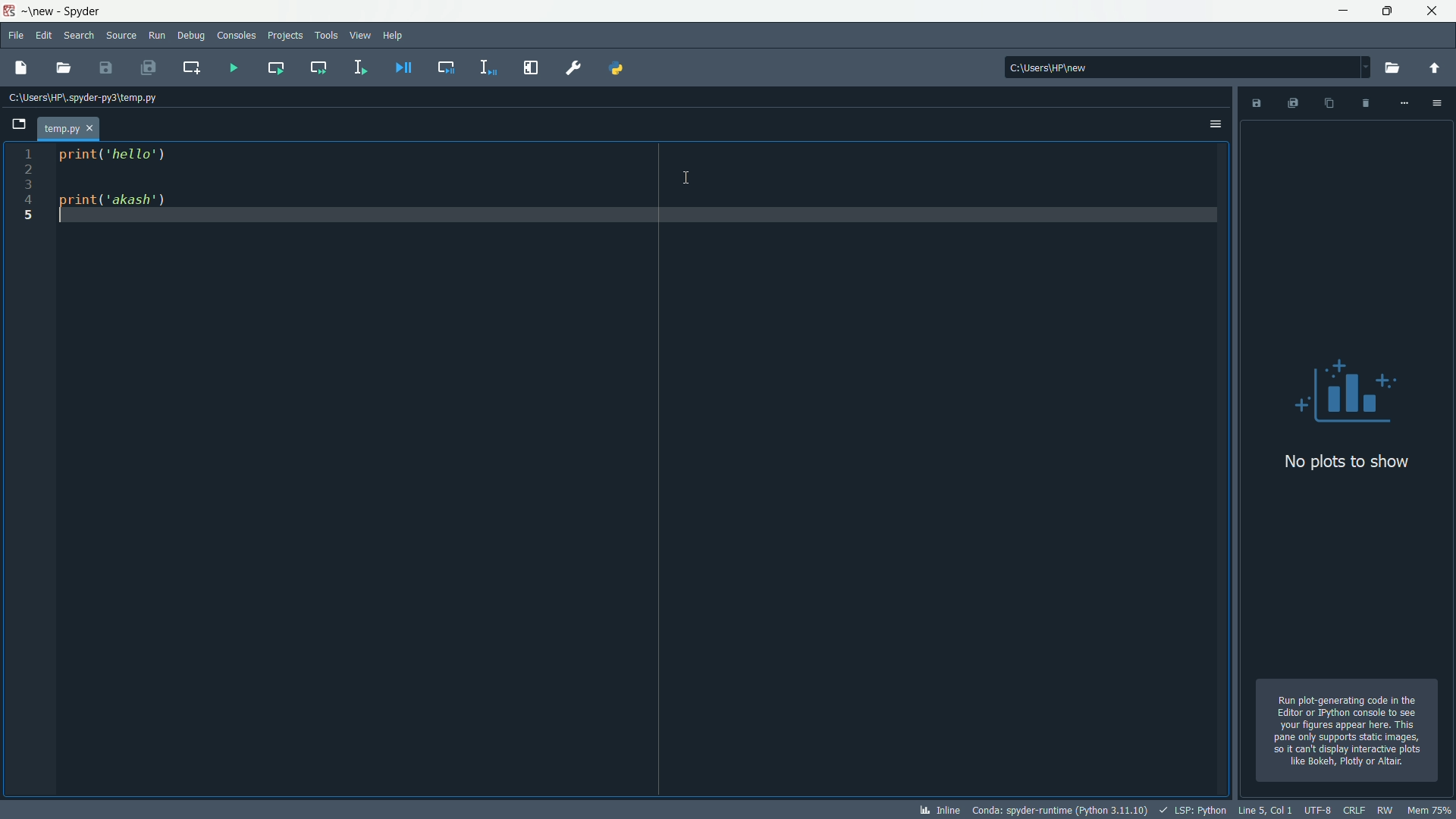 This screenshot has height=819, width=1456. I want to click on debug selection or current line, so click(488, 68).